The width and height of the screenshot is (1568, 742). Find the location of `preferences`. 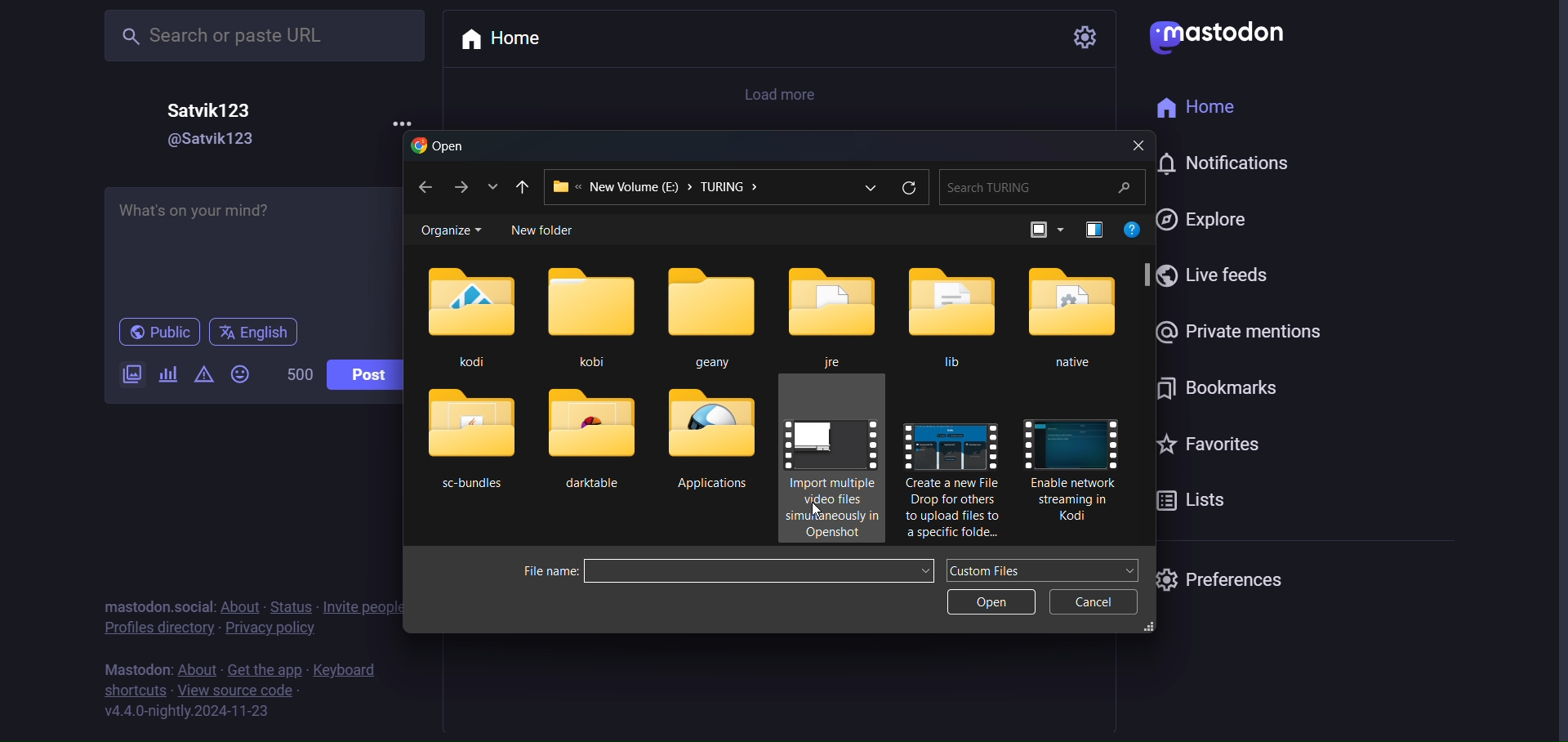

preferences is located at coordinates (1223, 579).